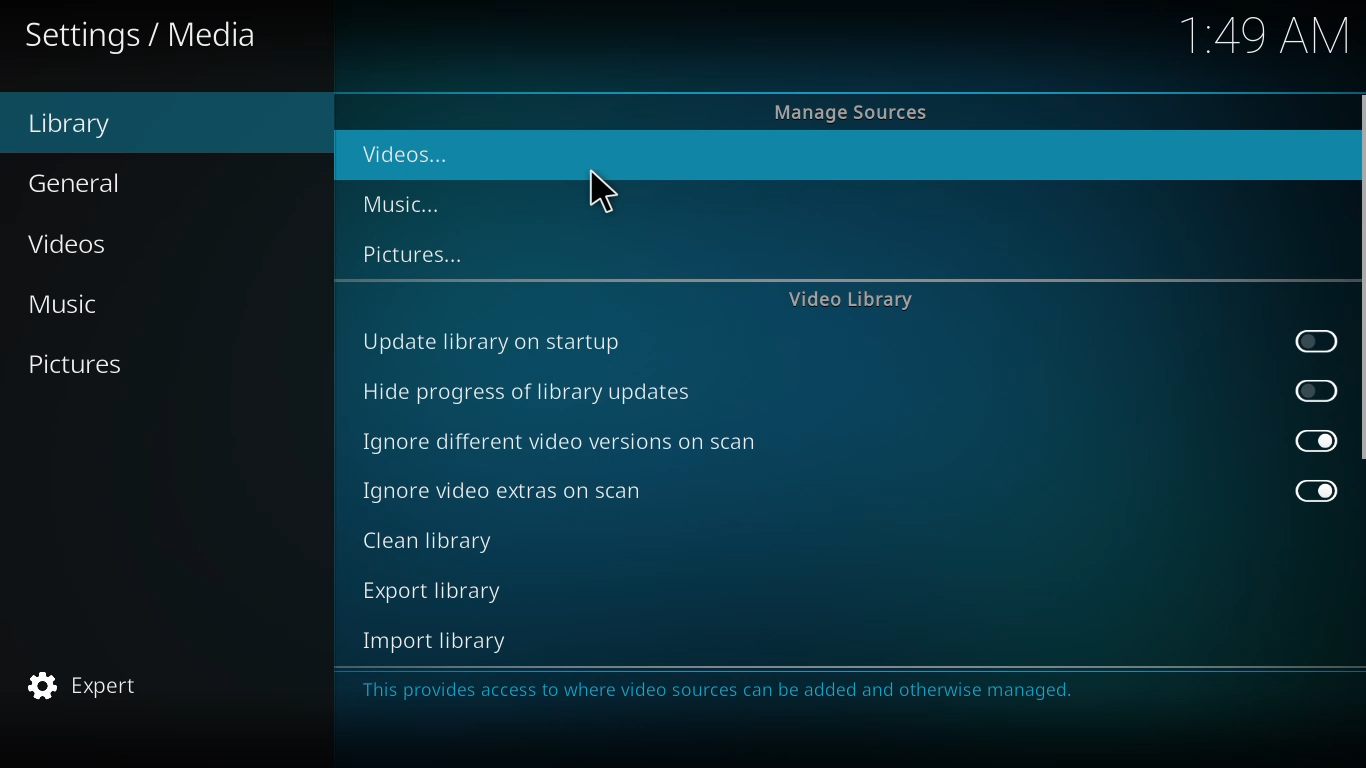  Describe the element at coordinates (78, 244) in the screenshot. I see `videos` at that location.